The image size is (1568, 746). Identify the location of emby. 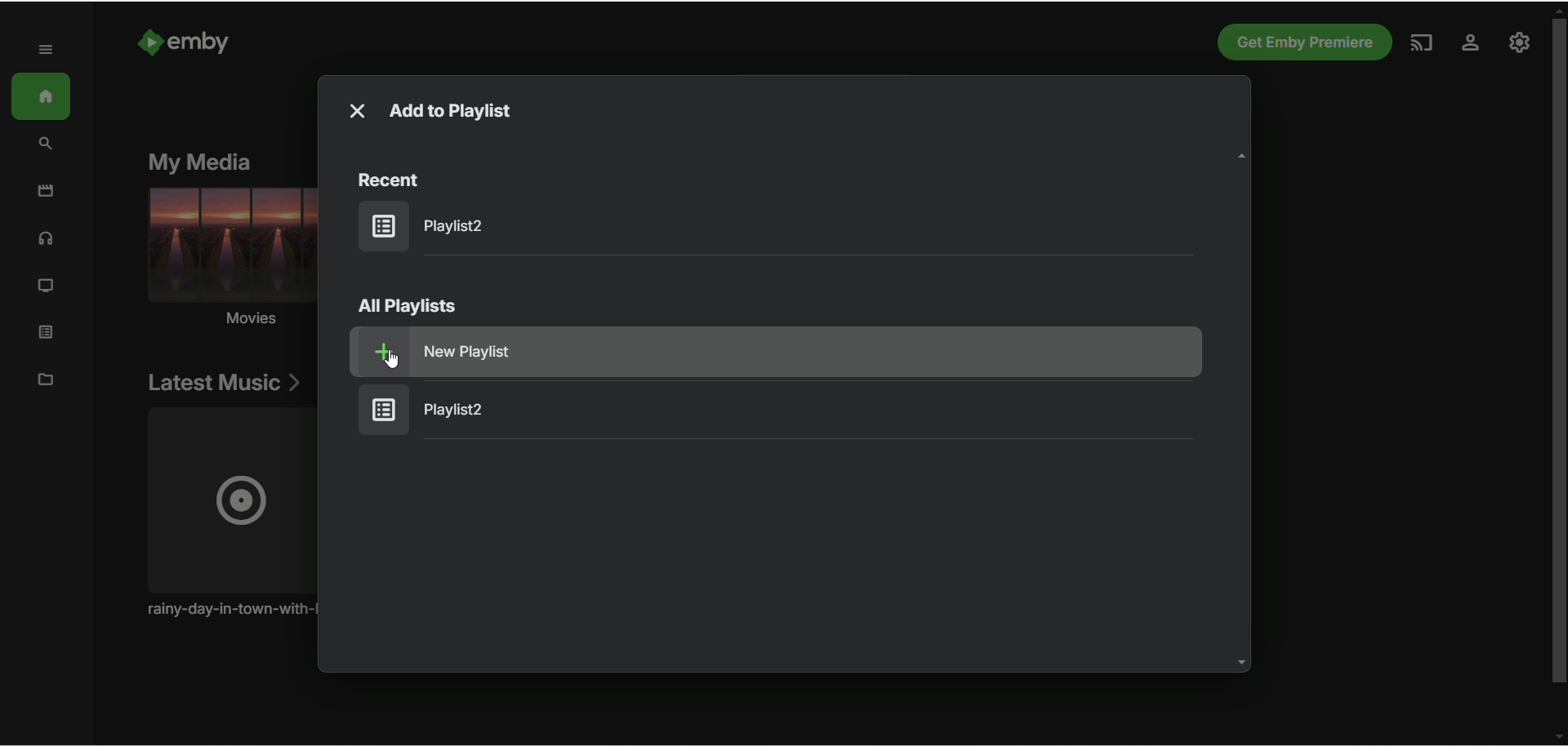
(200, 42).